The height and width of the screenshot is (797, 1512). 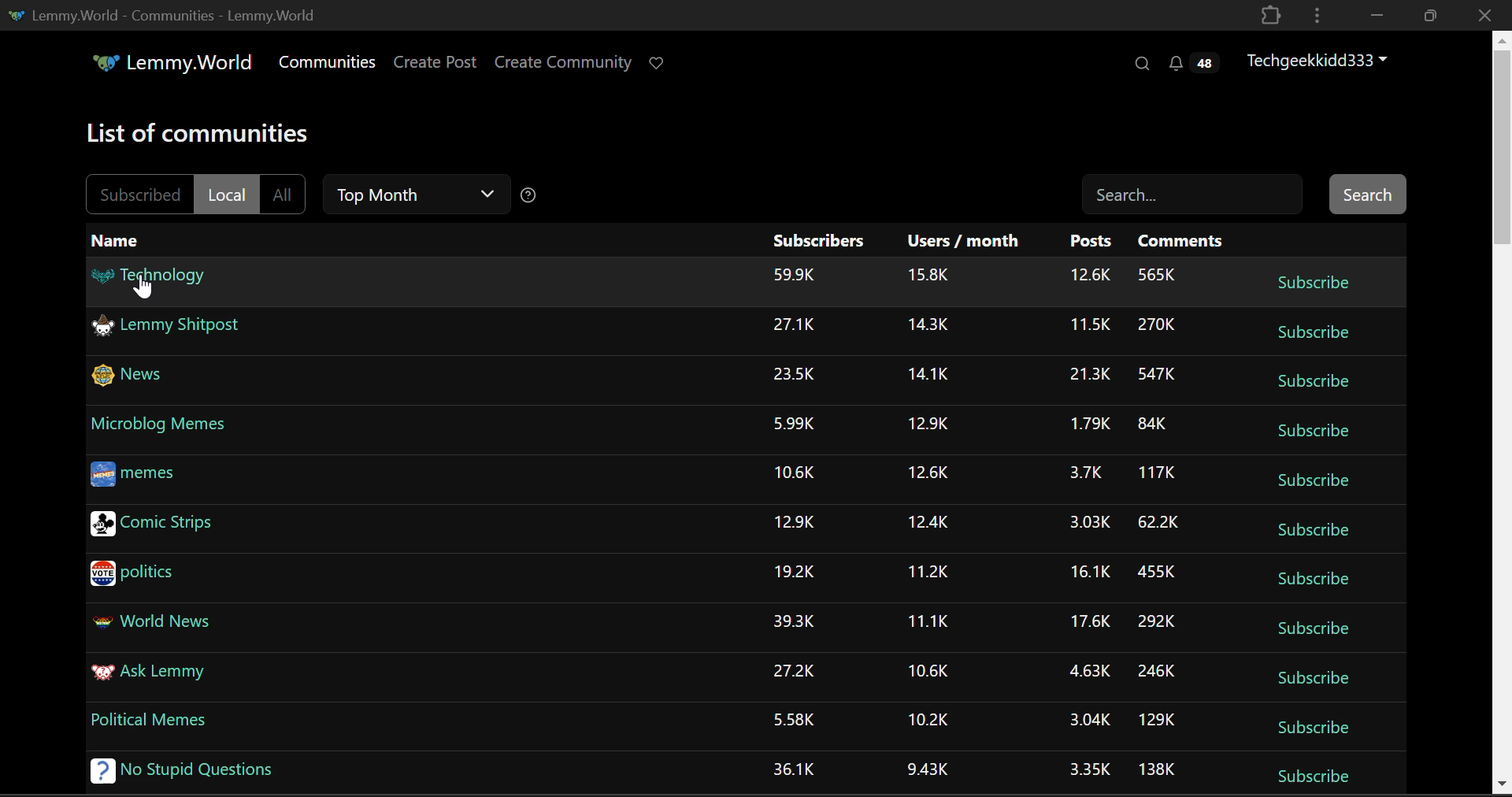 What do you see at coordinates (1161, 669) in the screenshot?
I see `Amount` at bounding box center [1161, 669].